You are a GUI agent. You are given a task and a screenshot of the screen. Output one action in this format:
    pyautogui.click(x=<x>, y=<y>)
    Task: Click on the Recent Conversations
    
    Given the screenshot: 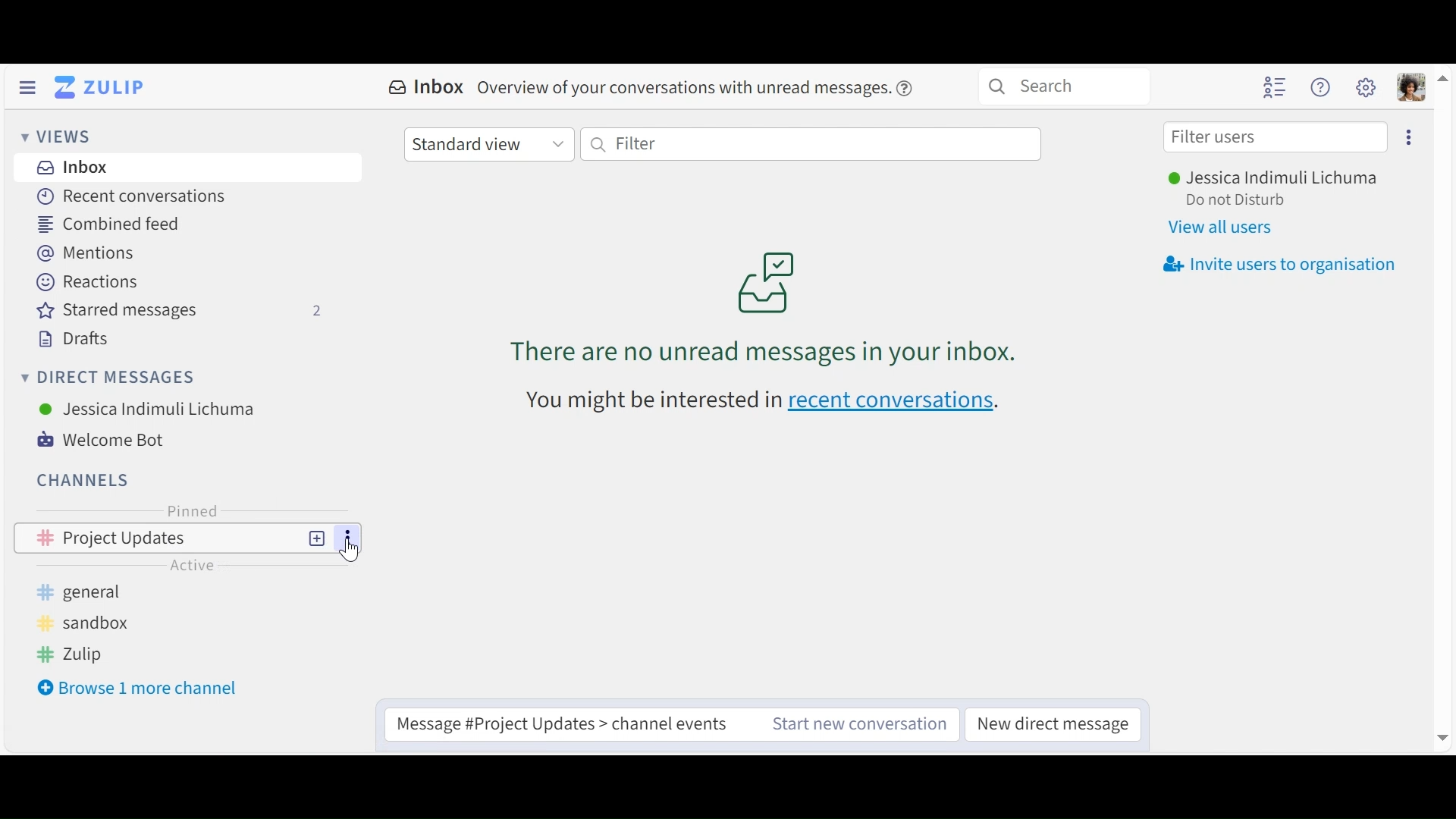 What is the action you would take?
    pyautogui.click(x=133, y=196)
    